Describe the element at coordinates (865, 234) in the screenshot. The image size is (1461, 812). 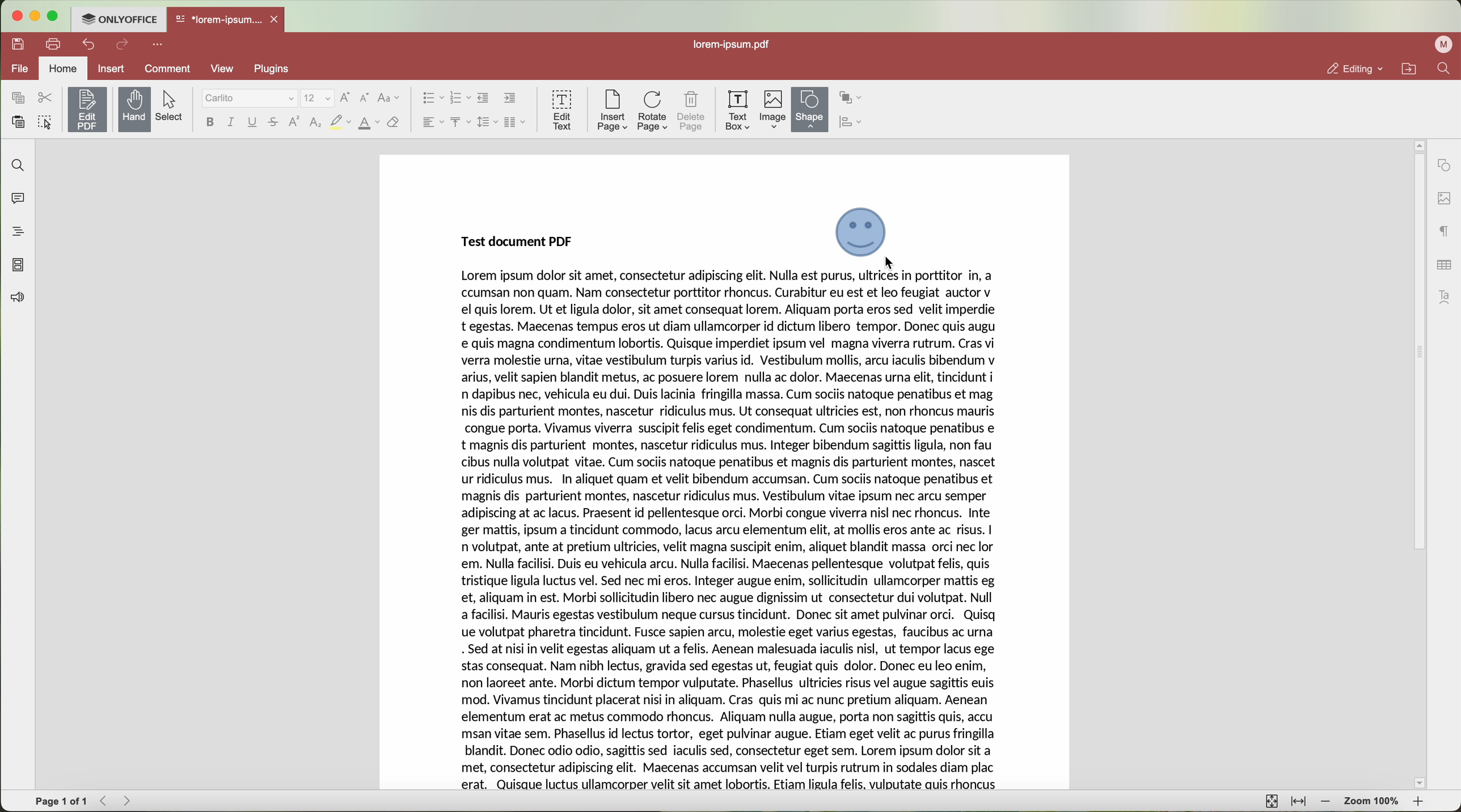
I see `drag image` at that location.